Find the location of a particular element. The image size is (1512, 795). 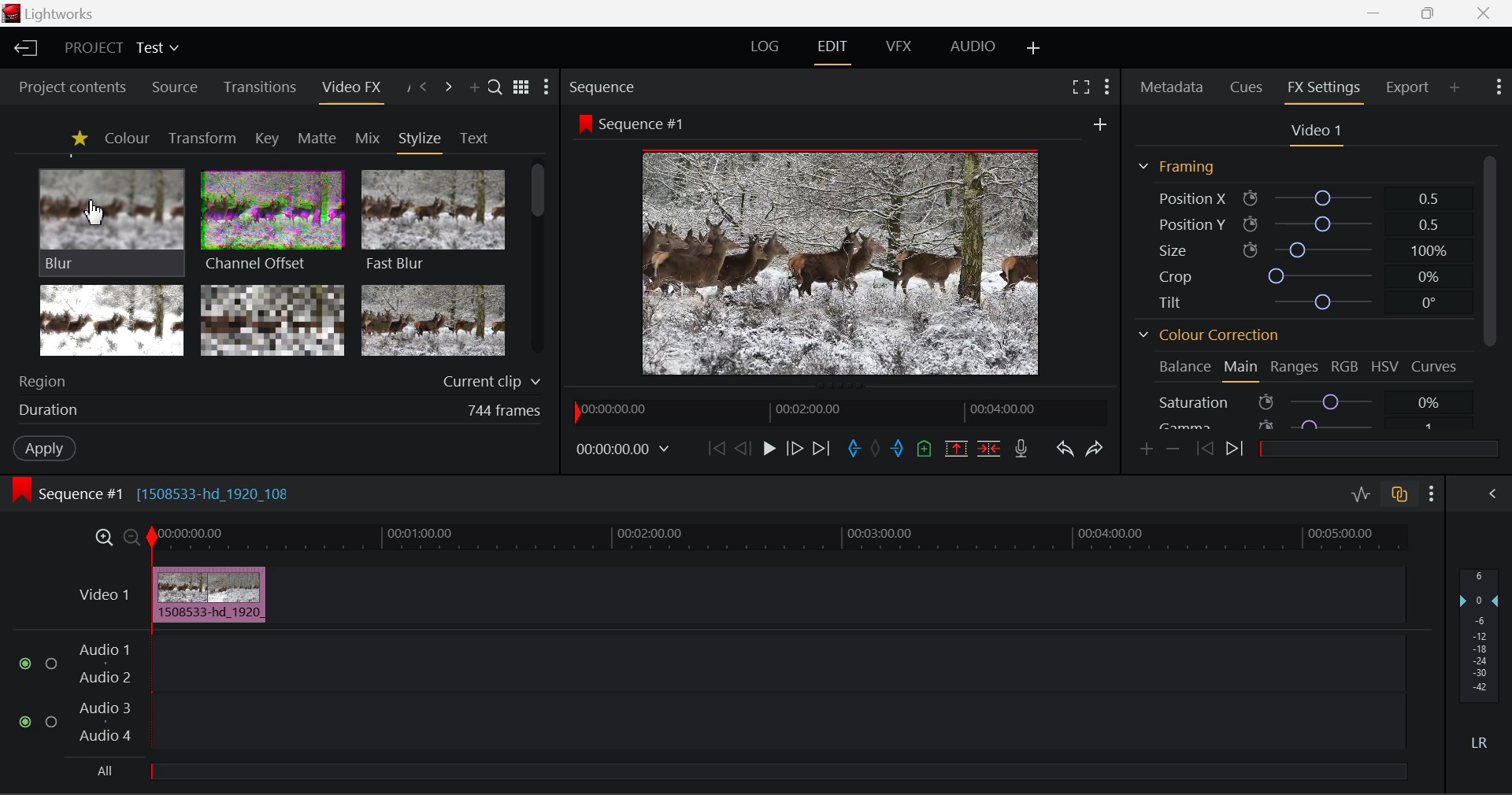

Edit Layout Open is located at coordinates (836, 49).